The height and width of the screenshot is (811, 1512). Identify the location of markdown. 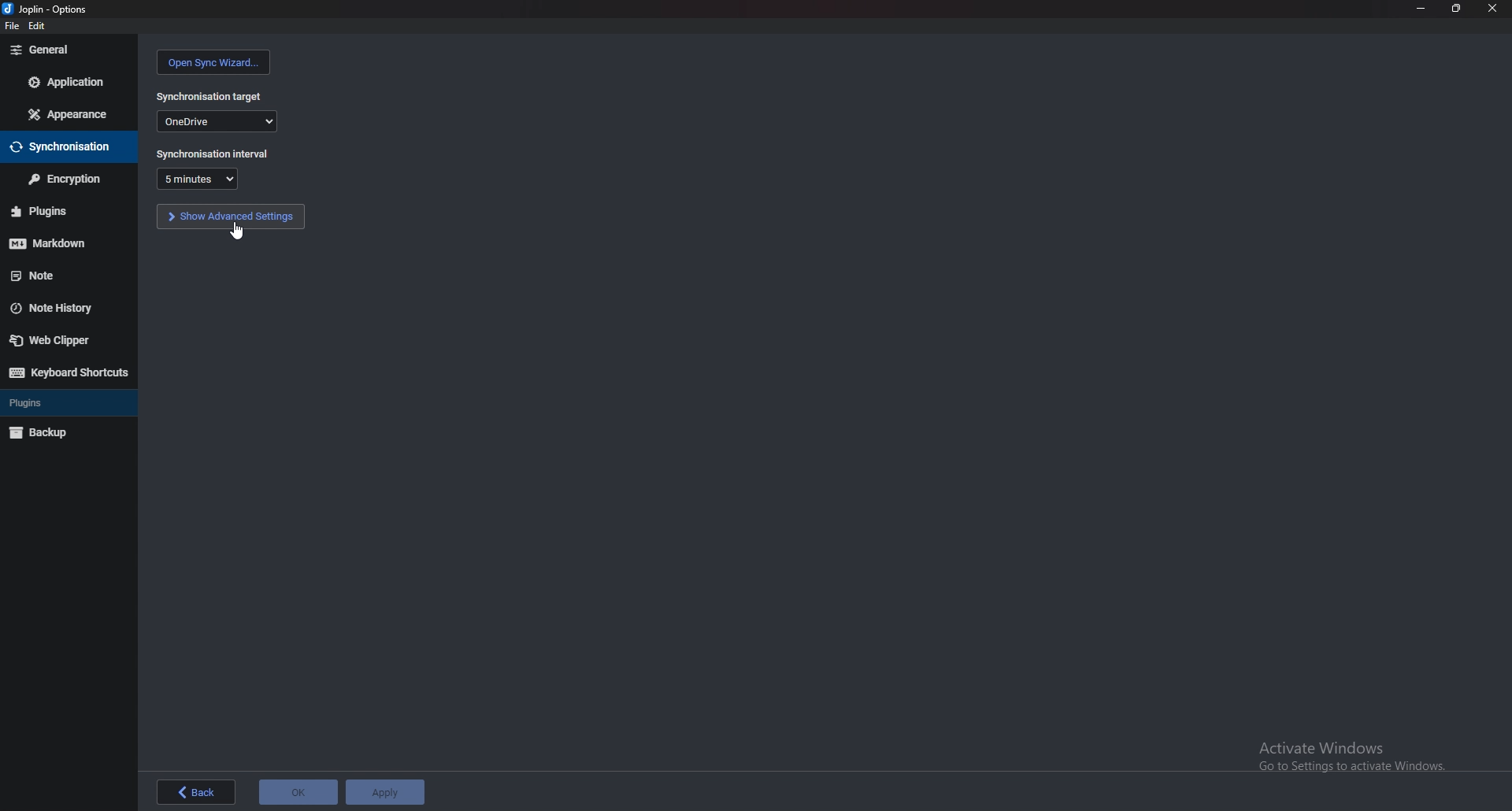
(59, 242).